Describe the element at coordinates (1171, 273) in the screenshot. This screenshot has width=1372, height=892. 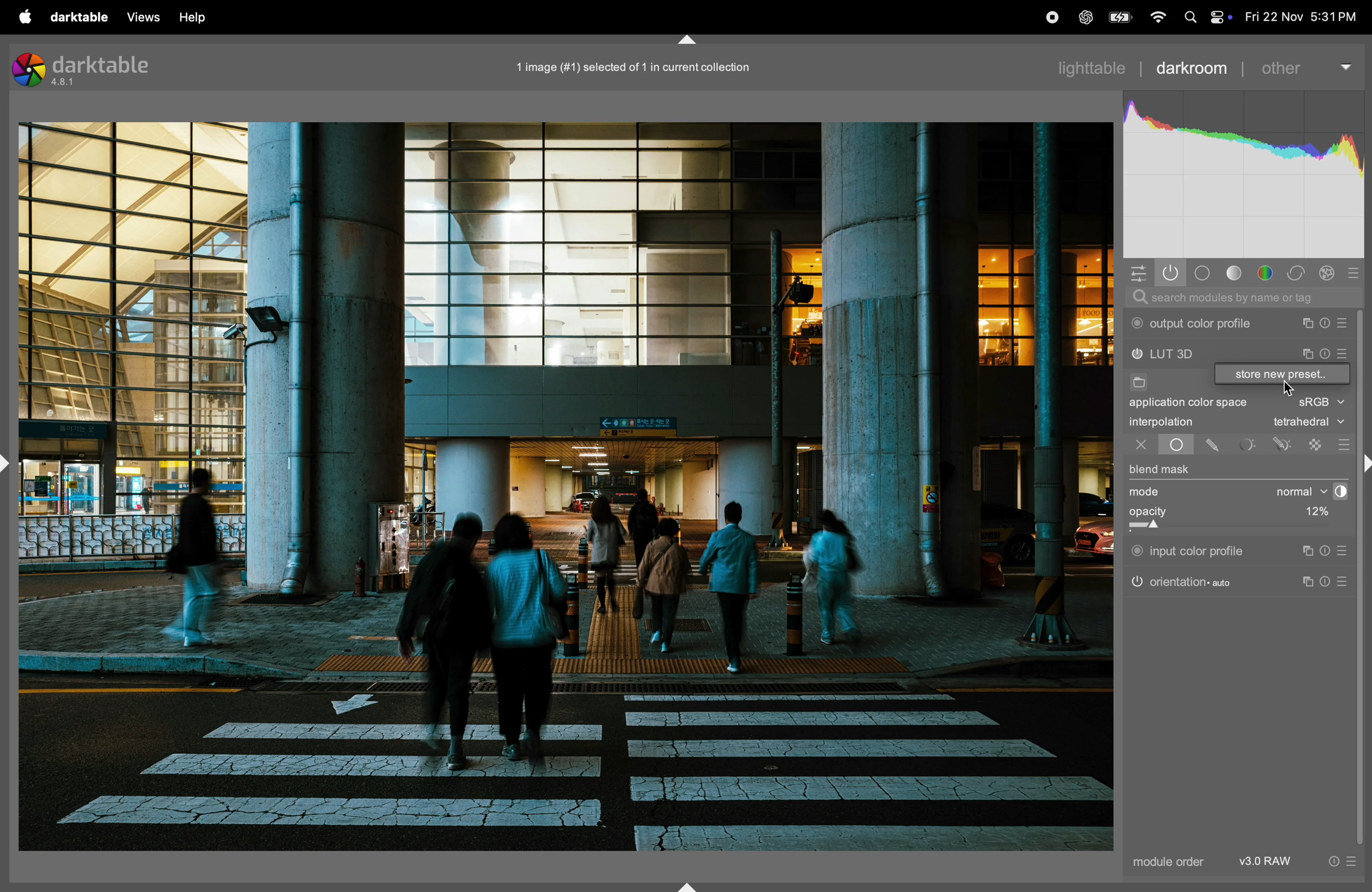
I see `show only active modules` at that location.